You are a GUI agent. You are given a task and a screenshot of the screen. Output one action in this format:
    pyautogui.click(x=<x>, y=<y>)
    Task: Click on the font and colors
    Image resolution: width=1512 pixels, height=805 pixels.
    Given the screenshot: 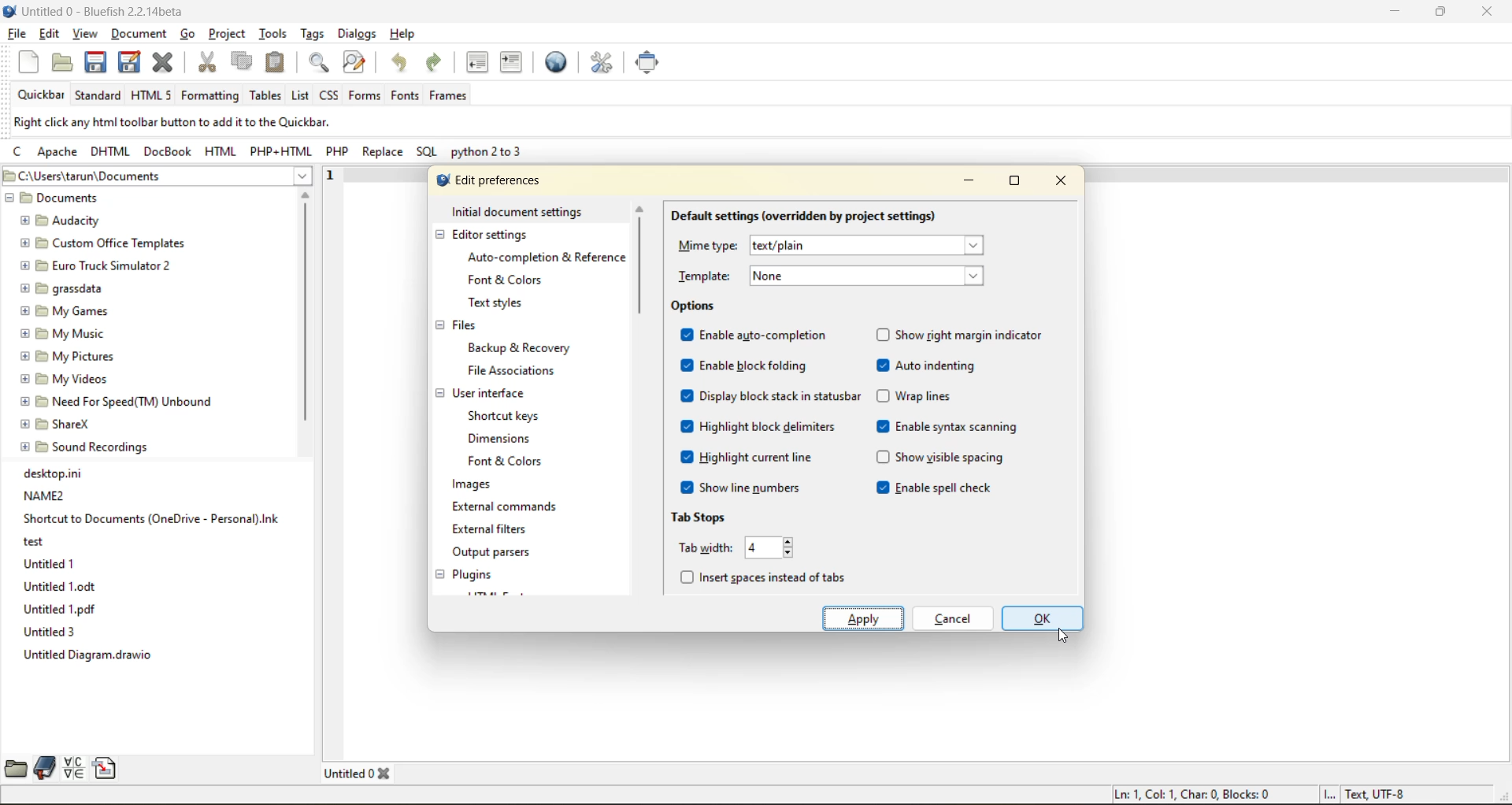 What is the action you would take?
    pyautogui.click(x=508, y=279)
    